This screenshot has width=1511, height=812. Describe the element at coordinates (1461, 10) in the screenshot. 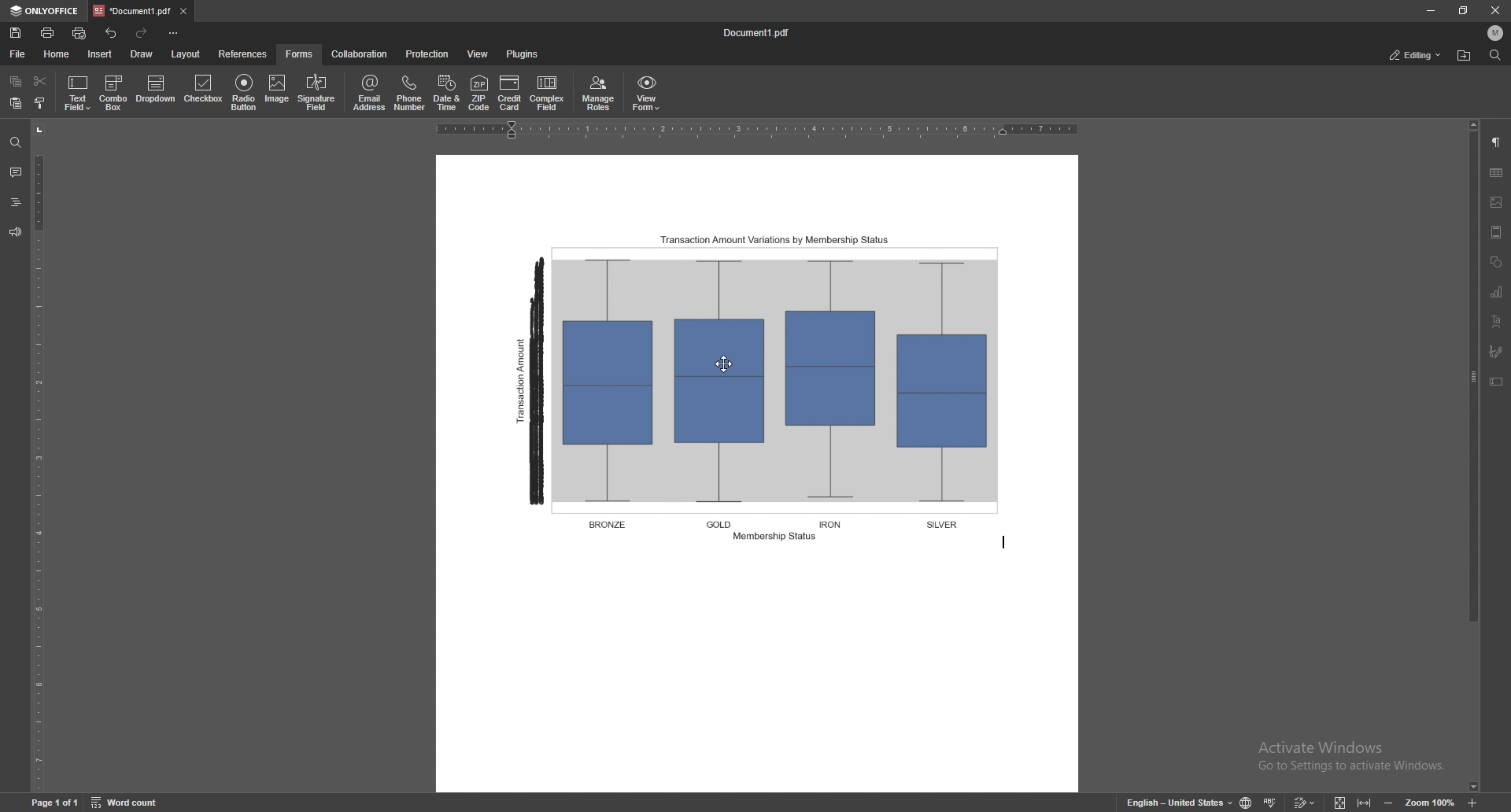

I see `resize` at that location.